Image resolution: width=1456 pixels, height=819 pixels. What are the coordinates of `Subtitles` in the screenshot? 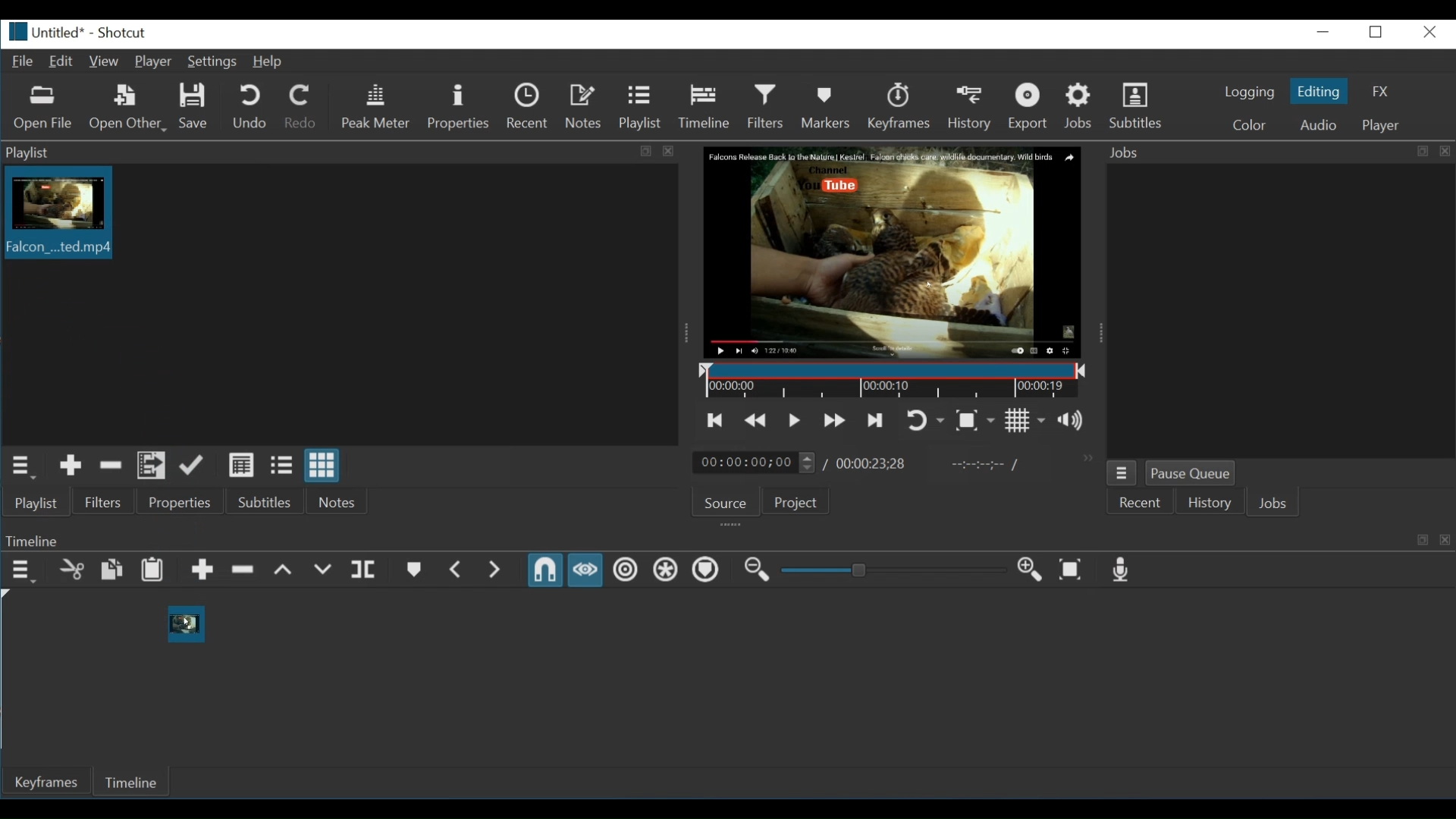 It's located at (1140, 104).